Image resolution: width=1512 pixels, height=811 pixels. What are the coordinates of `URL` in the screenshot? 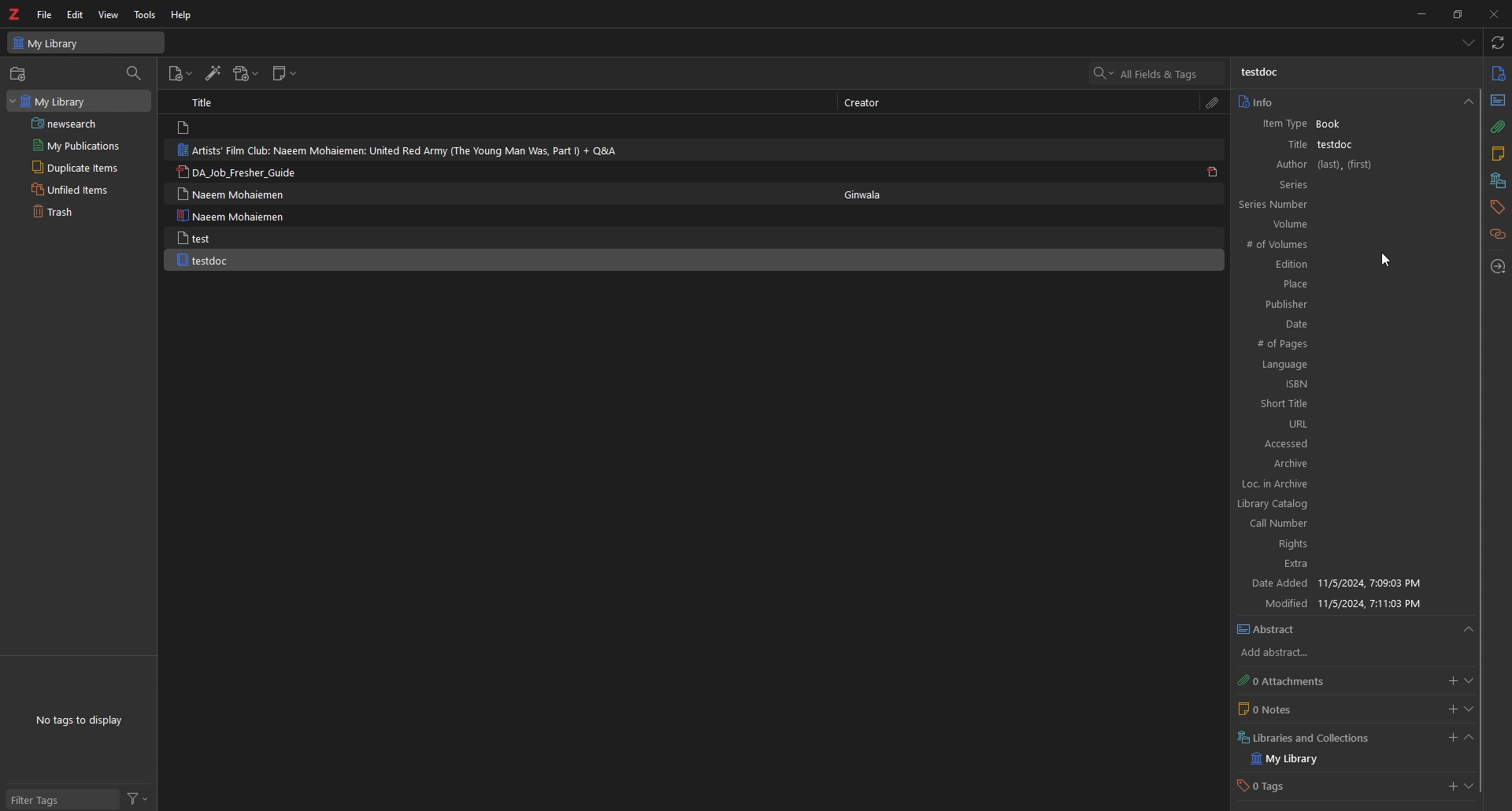 It's located at (1351, 424).